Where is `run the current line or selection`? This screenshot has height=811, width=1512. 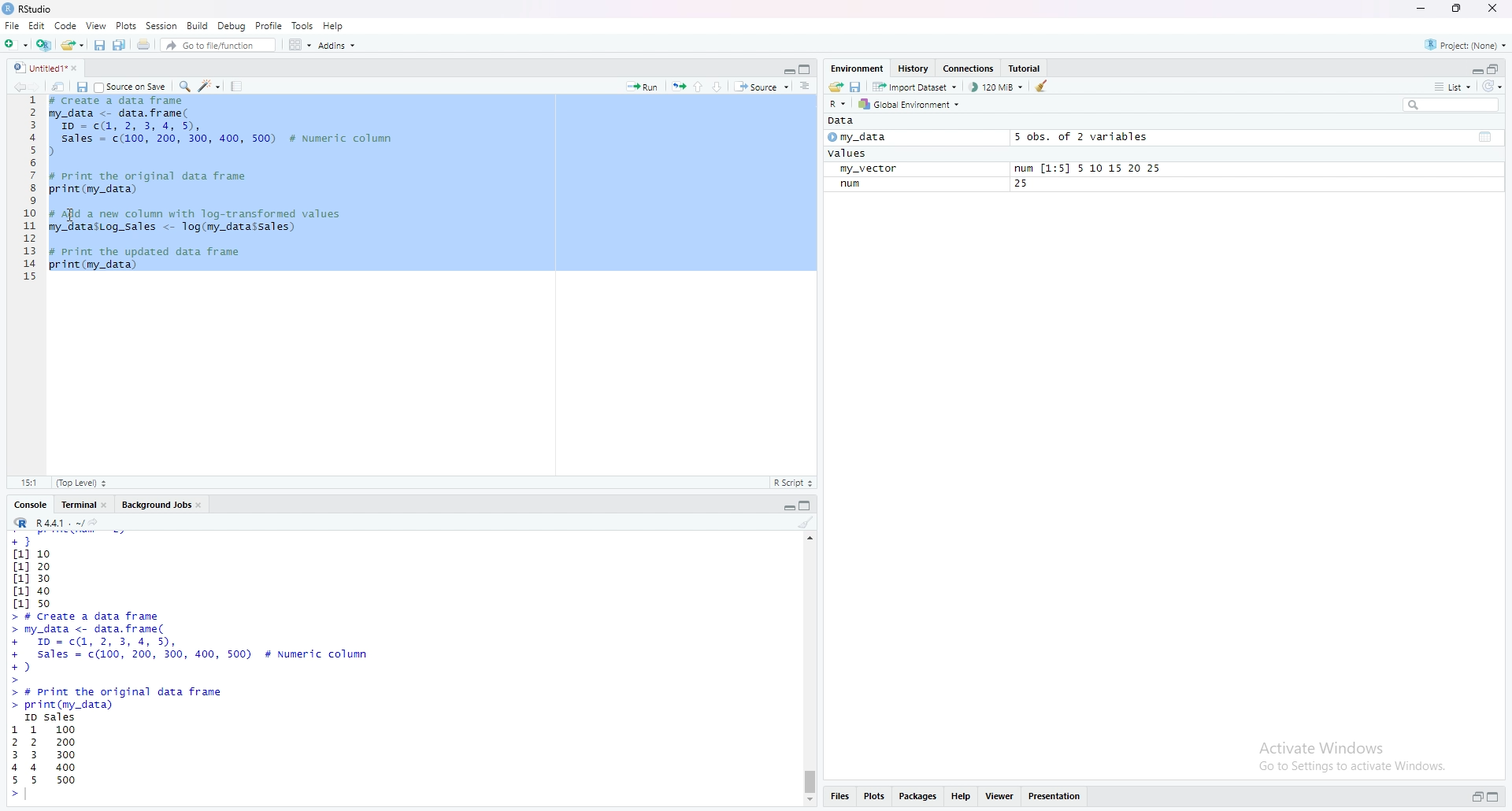
run the current line or selection is located at coordinates (642, 84).